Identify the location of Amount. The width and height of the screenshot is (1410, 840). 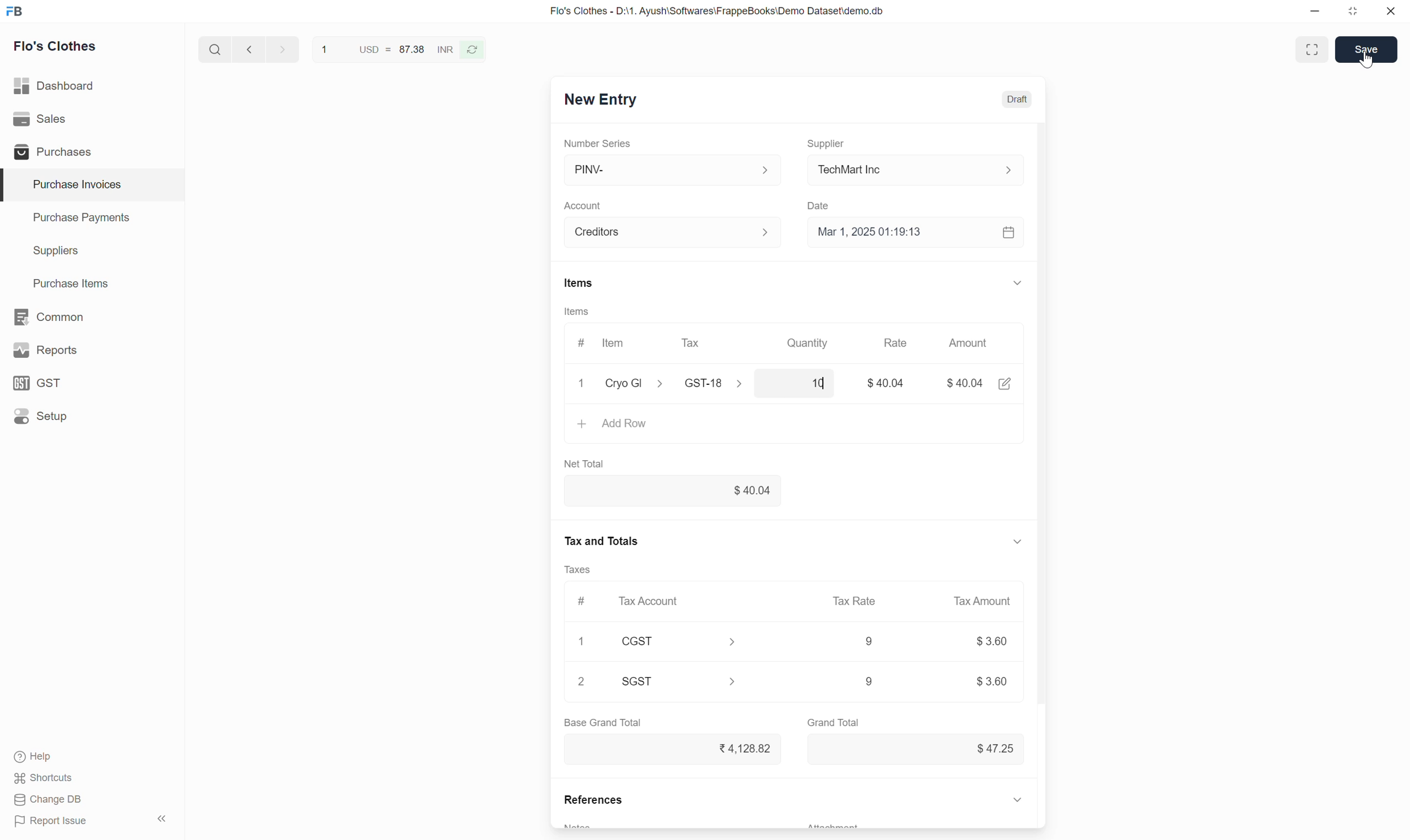
(973, 345).